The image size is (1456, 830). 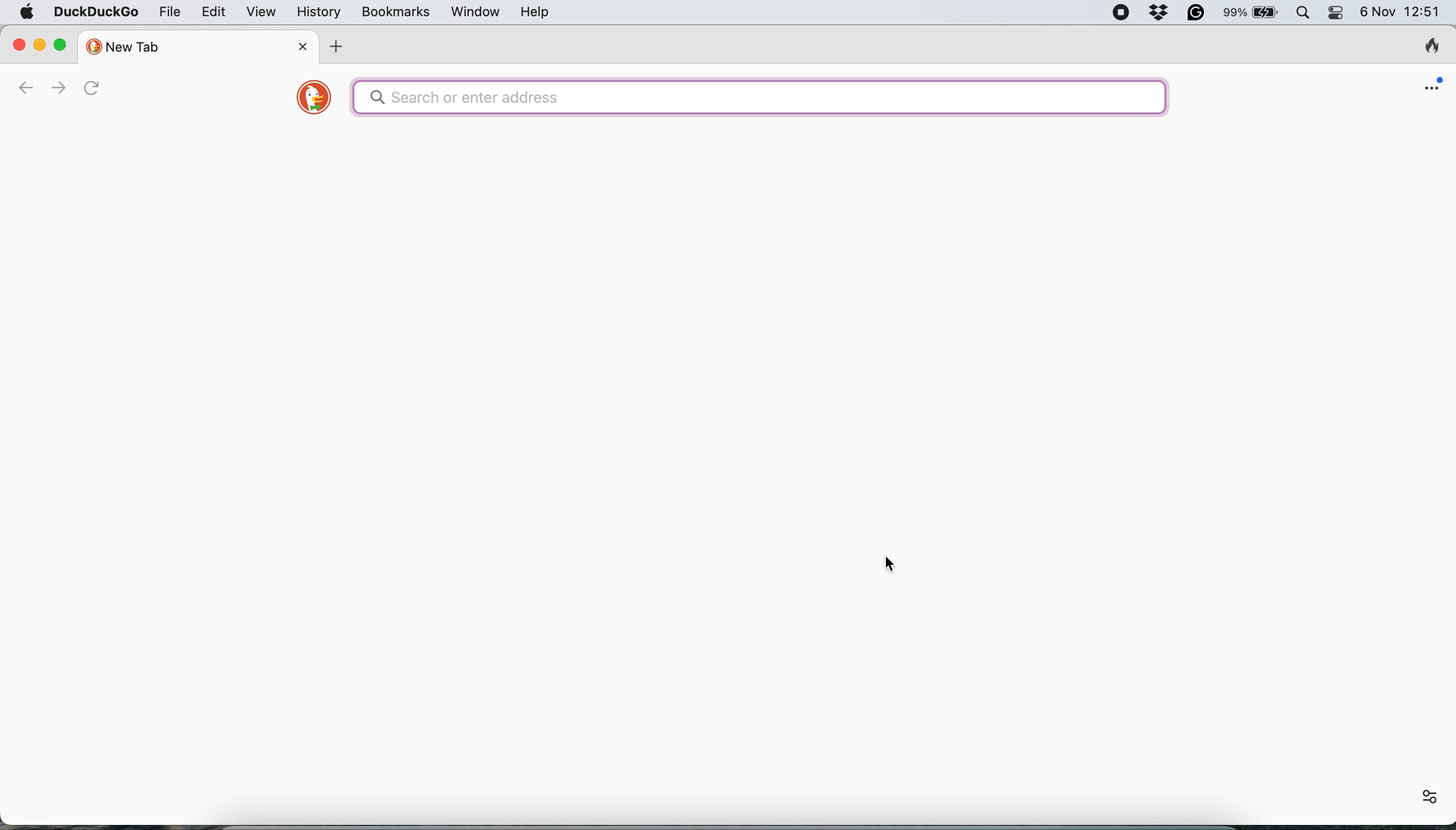 I want to click on go back, so click(x=30, y=89).